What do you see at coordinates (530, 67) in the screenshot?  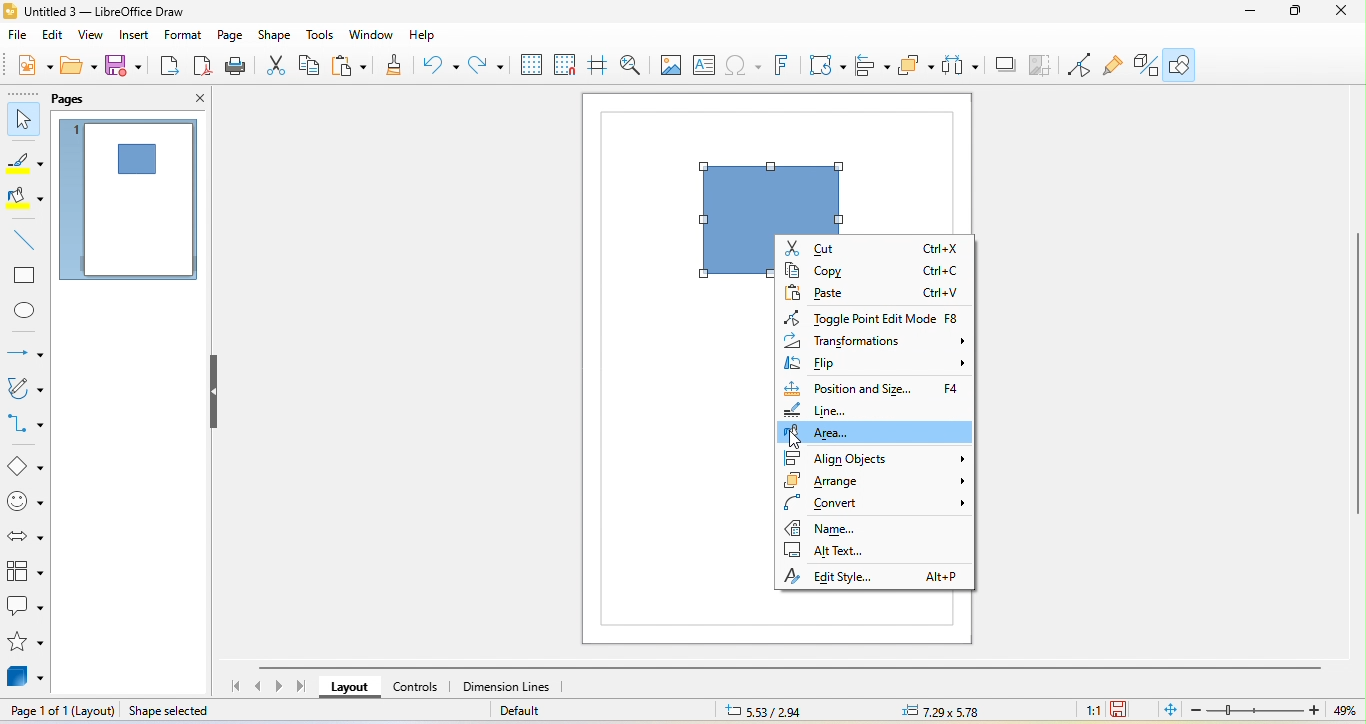 I see `display grid` at bounding box center [530, 67].